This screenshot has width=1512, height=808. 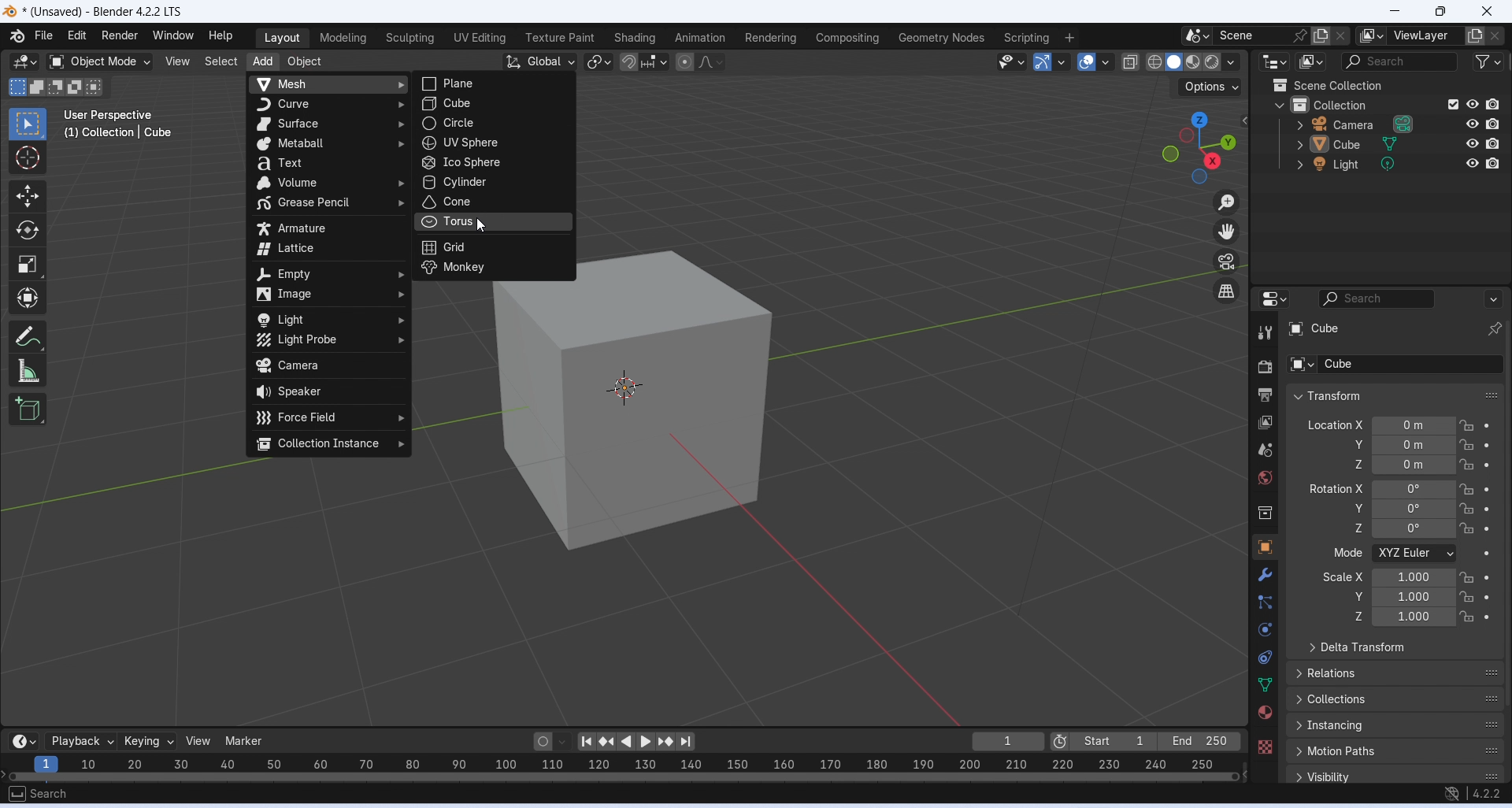 I want to click on Y axis, so click(x=1434, y=509).